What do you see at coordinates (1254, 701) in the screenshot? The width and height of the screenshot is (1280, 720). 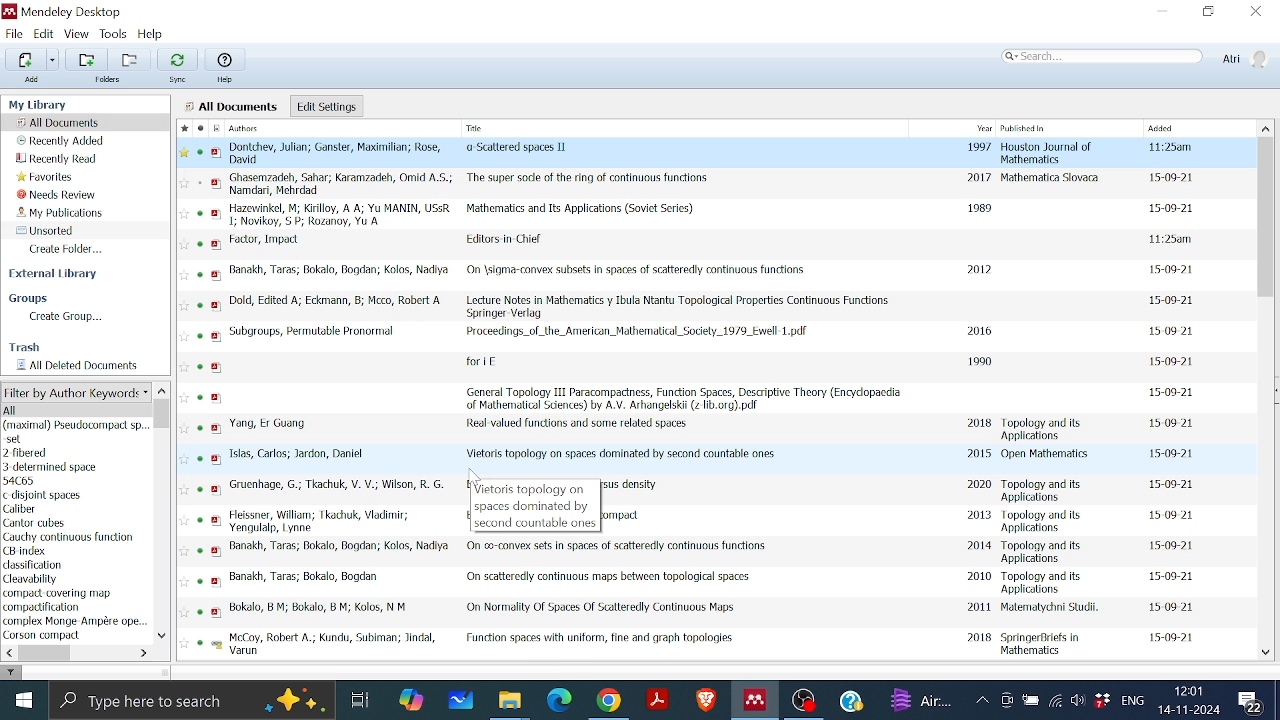 I see `Notifications` at bounding box center [1254, 701].